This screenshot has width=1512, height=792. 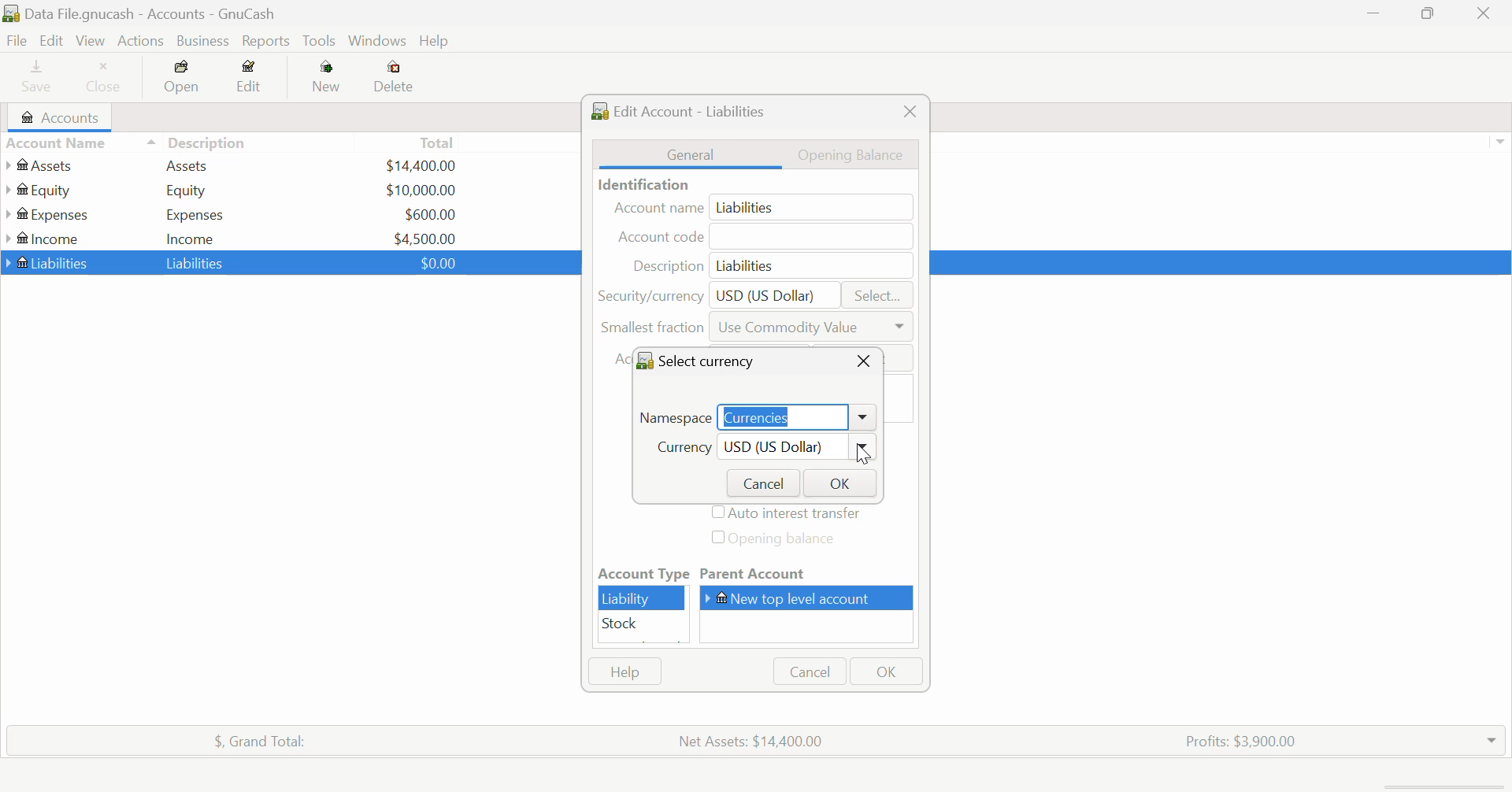 I want to click on New top level account, so click(x=812, y=598).